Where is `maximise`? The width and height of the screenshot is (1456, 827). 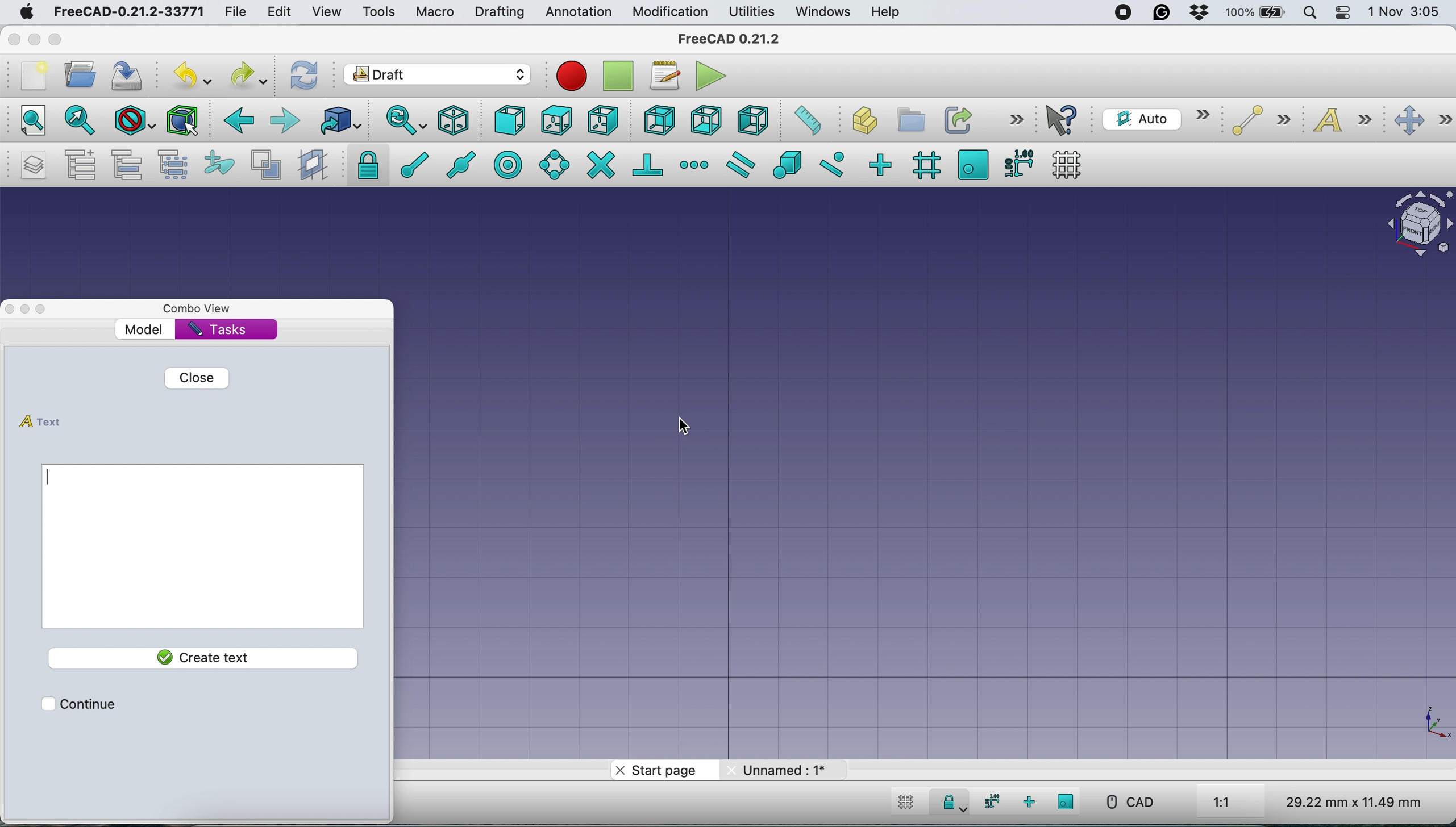
maximise is located at coordinates (47, 307).